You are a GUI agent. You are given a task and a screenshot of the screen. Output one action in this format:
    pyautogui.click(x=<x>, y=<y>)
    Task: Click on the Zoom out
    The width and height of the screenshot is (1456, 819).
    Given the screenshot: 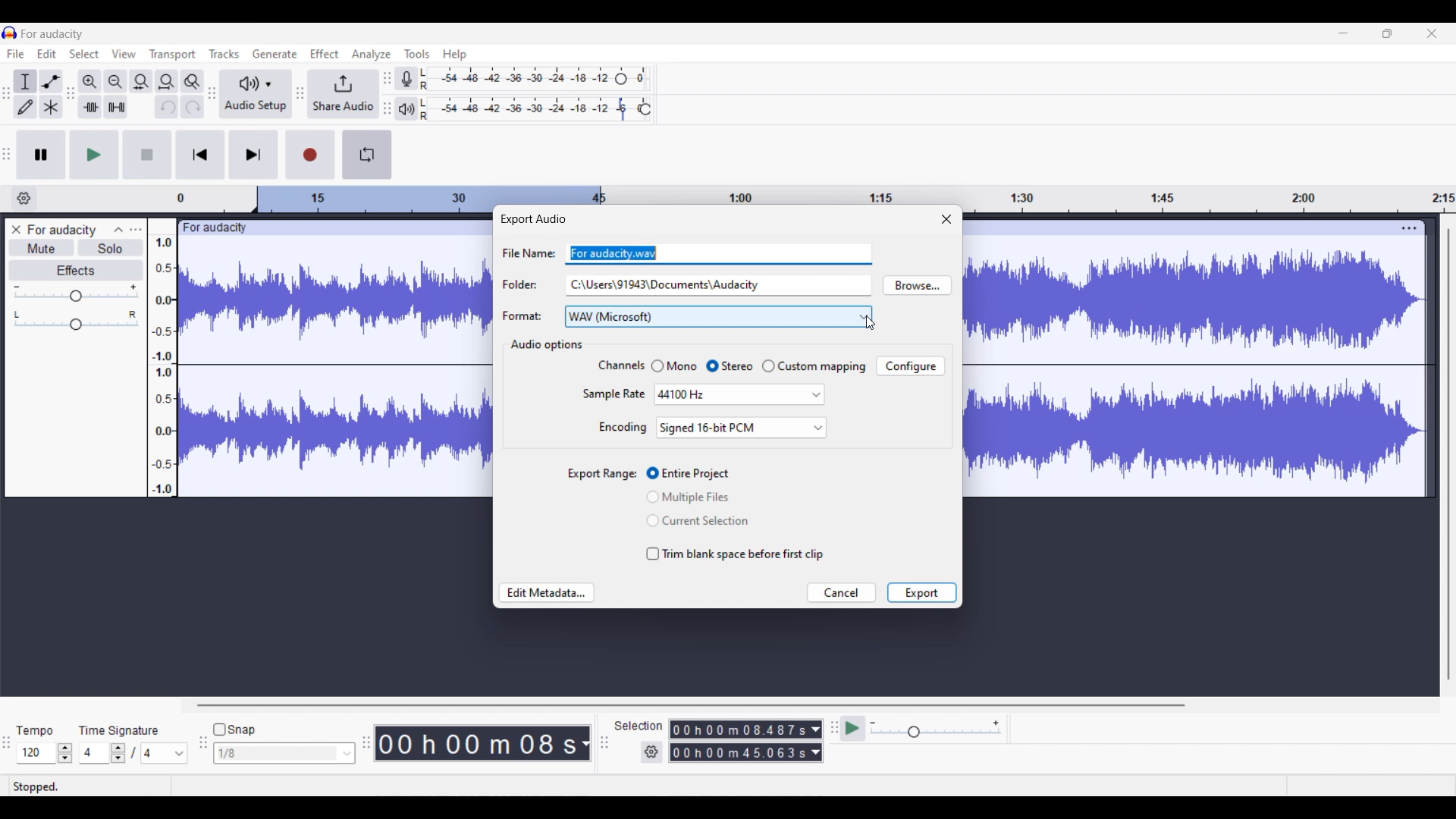 What is the action you would take?
    pyautogui.click(x=115, y=82)
    